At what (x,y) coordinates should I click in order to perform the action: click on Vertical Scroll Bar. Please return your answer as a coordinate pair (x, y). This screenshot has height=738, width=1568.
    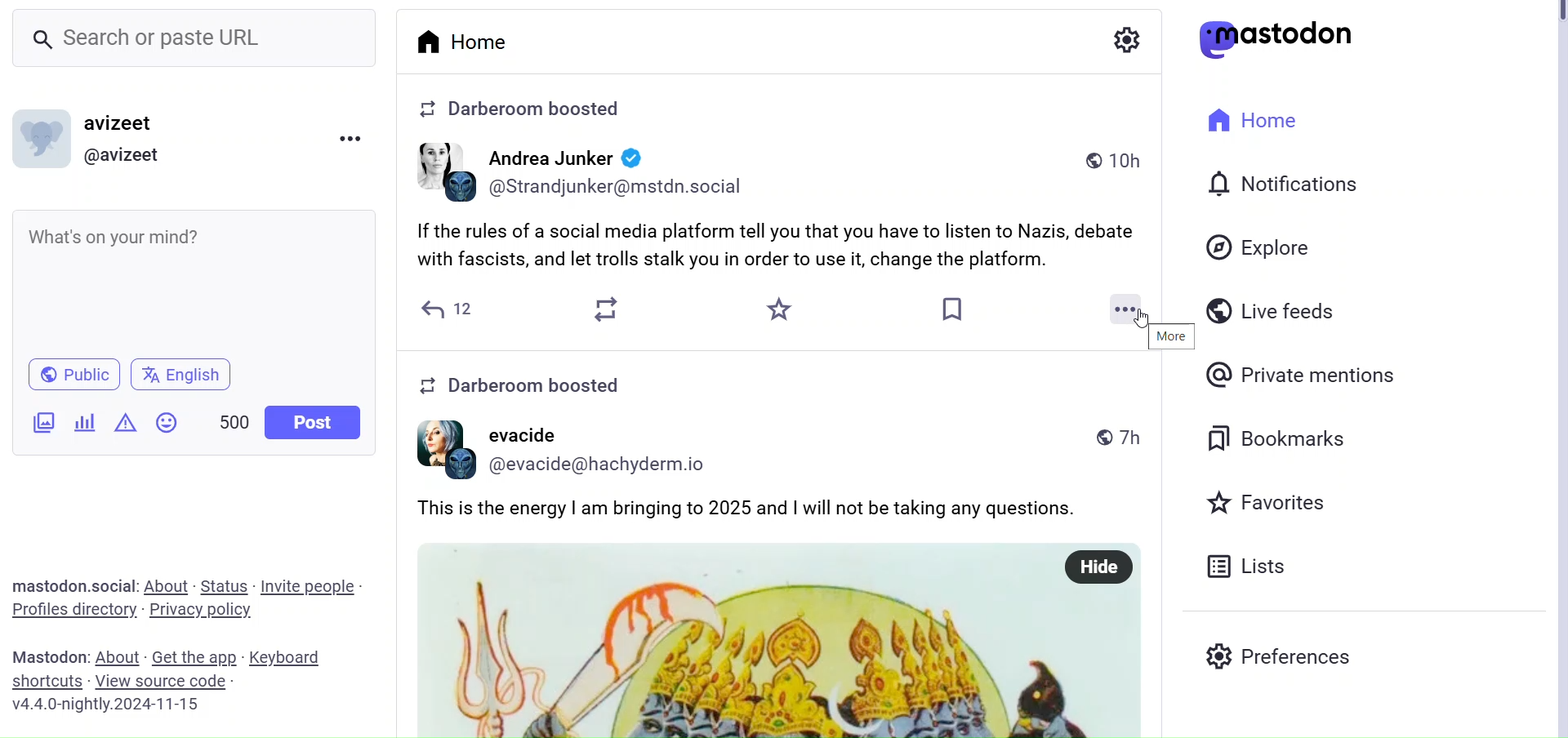
    Looking at the image, I should click on (1555, 371).